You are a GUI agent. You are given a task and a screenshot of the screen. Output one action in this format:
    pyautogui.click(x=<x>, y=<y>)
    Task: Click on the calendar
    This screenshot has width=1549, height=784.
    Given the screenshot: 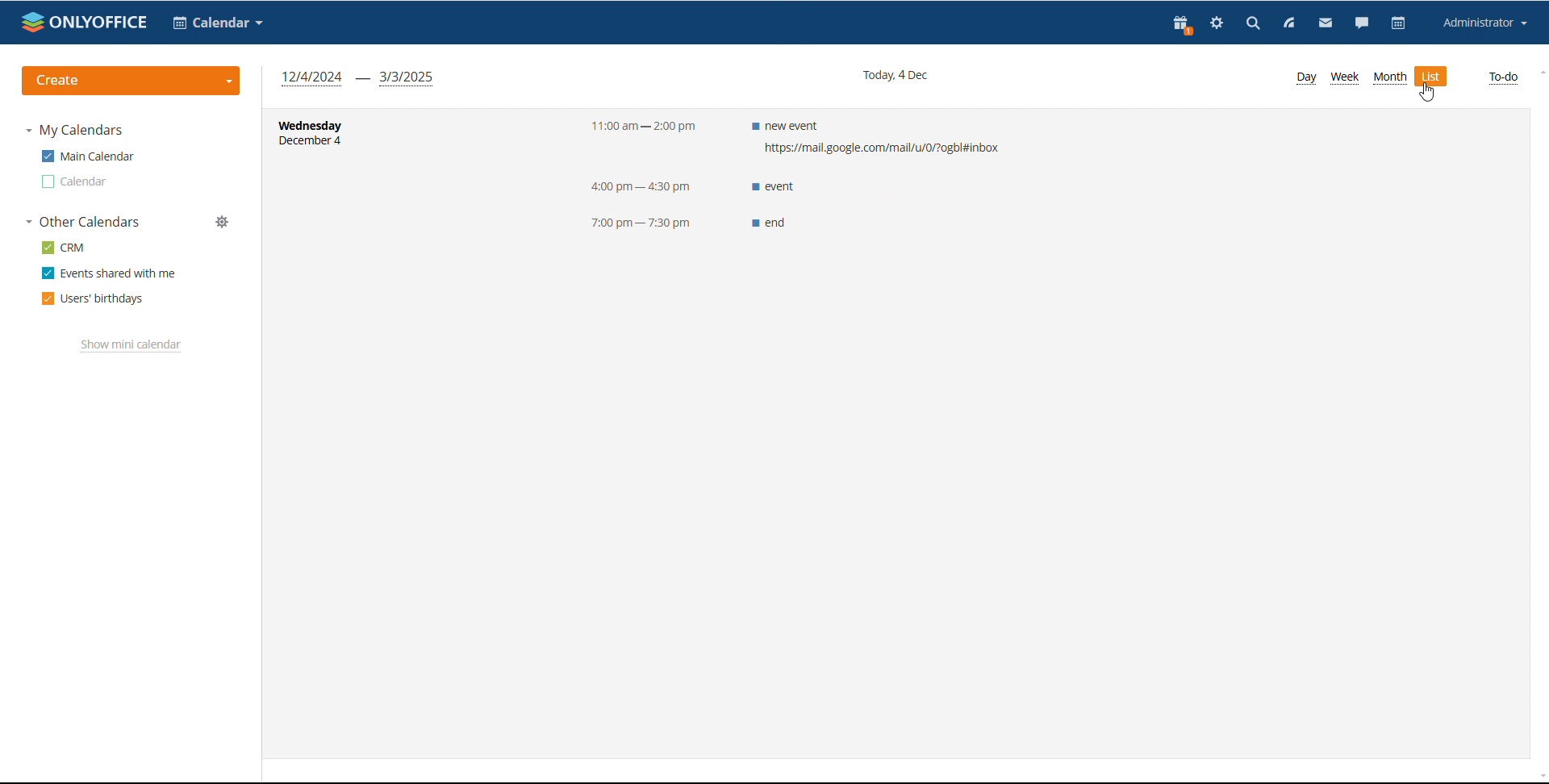 What is the action you would take?
    pyautogui.click(x=1398, y=23)
    